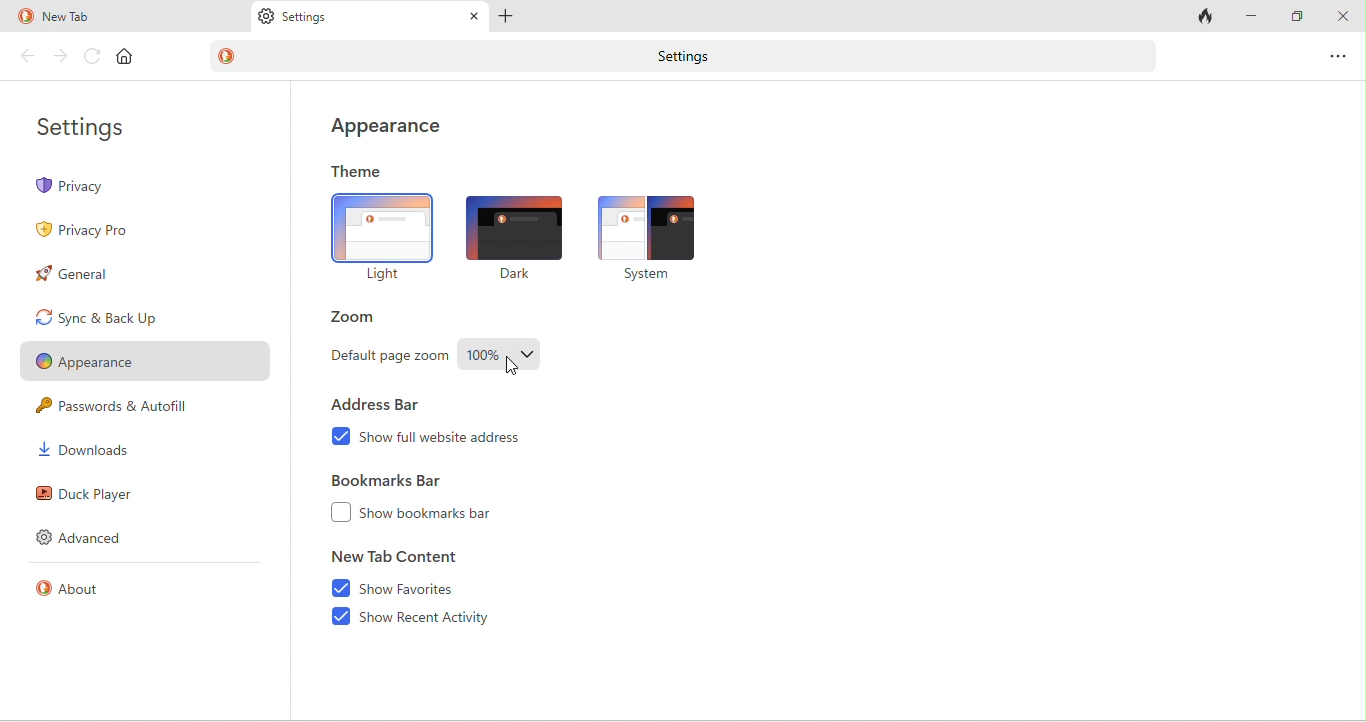 The height and width of the screenshot is (722, 1366). Describe the element at coordinates (91, 131) in the screenshot. I see `settings` at that location.